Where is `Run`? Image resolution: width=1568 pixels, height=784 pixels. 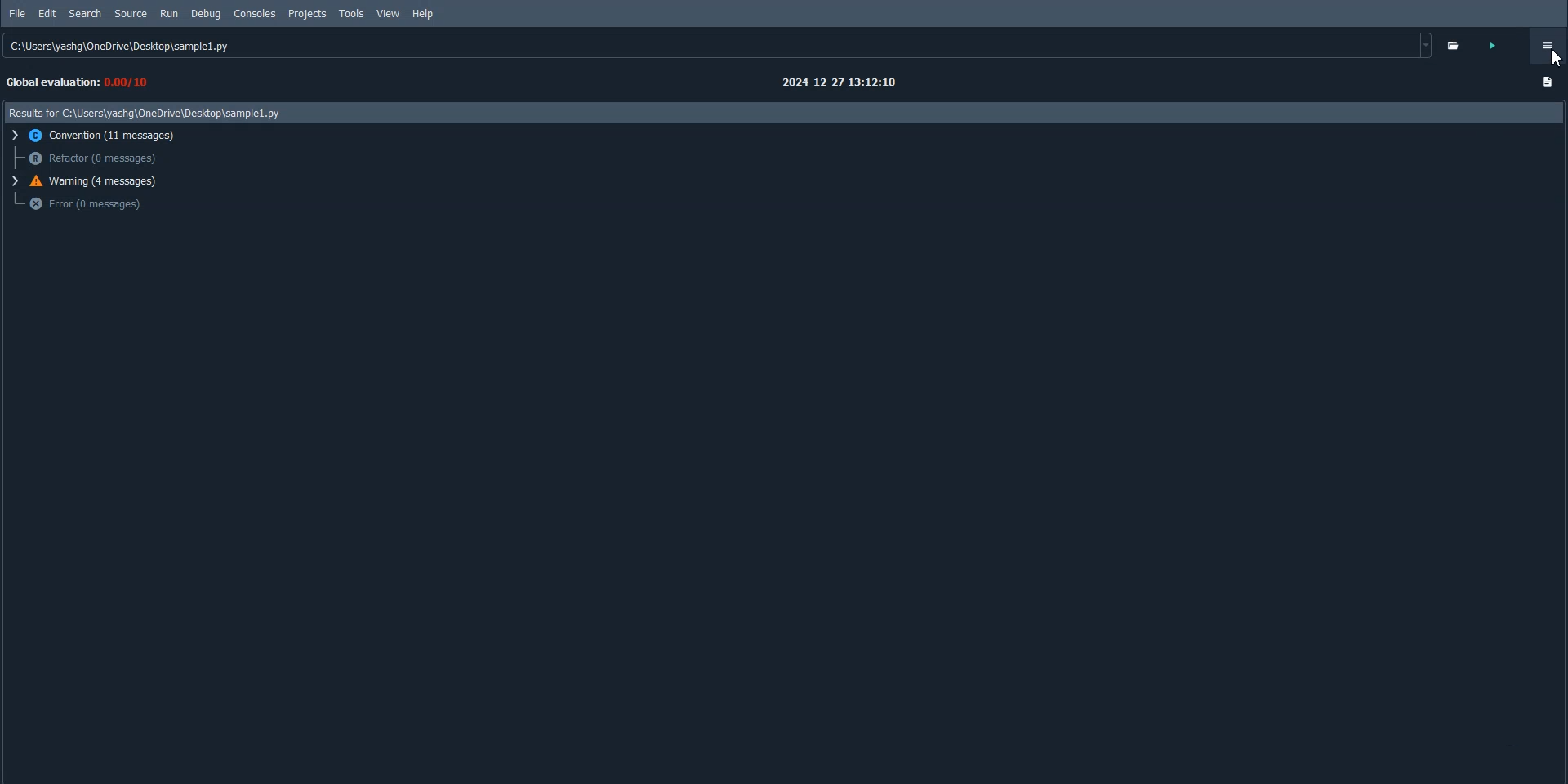
Run is located at coordinates (168, 14).